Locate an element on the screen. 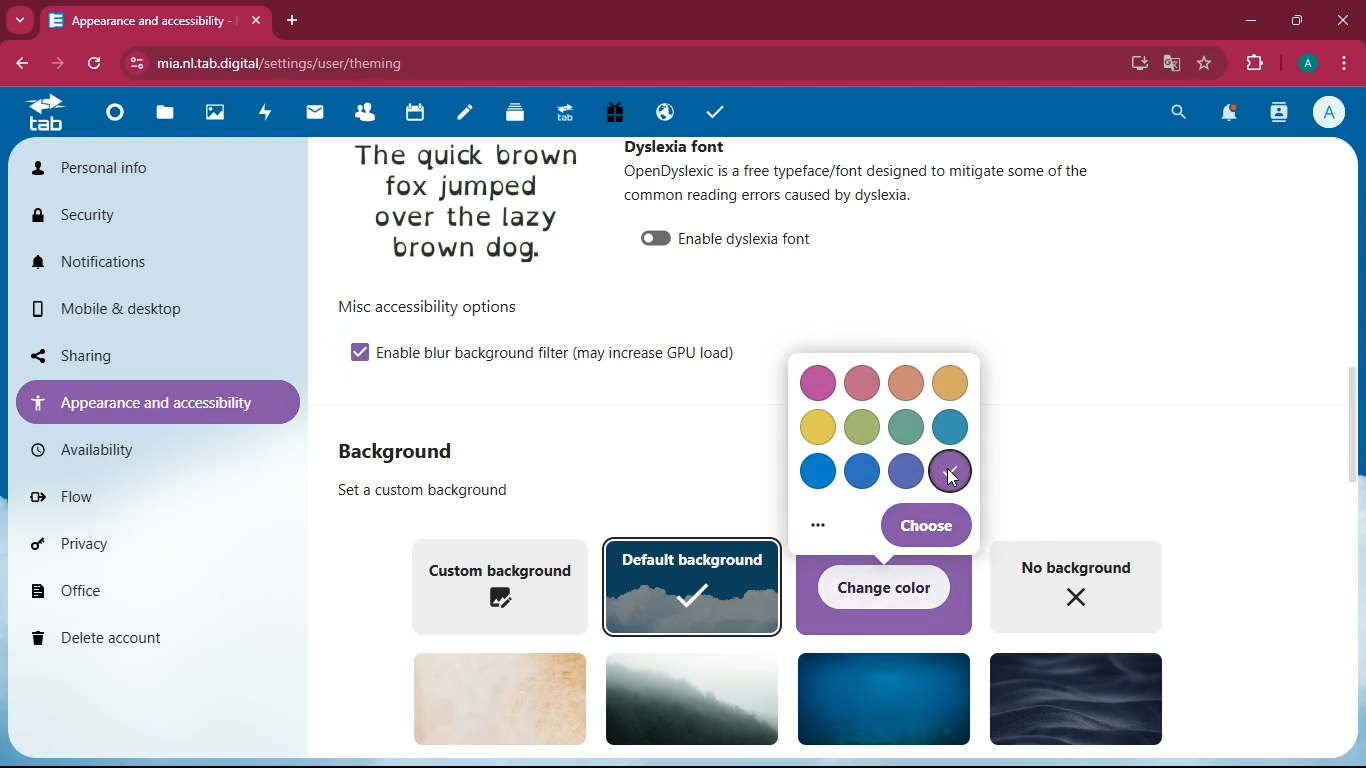 The image size is (1366, 768). office is located at coordinates (140, 589).